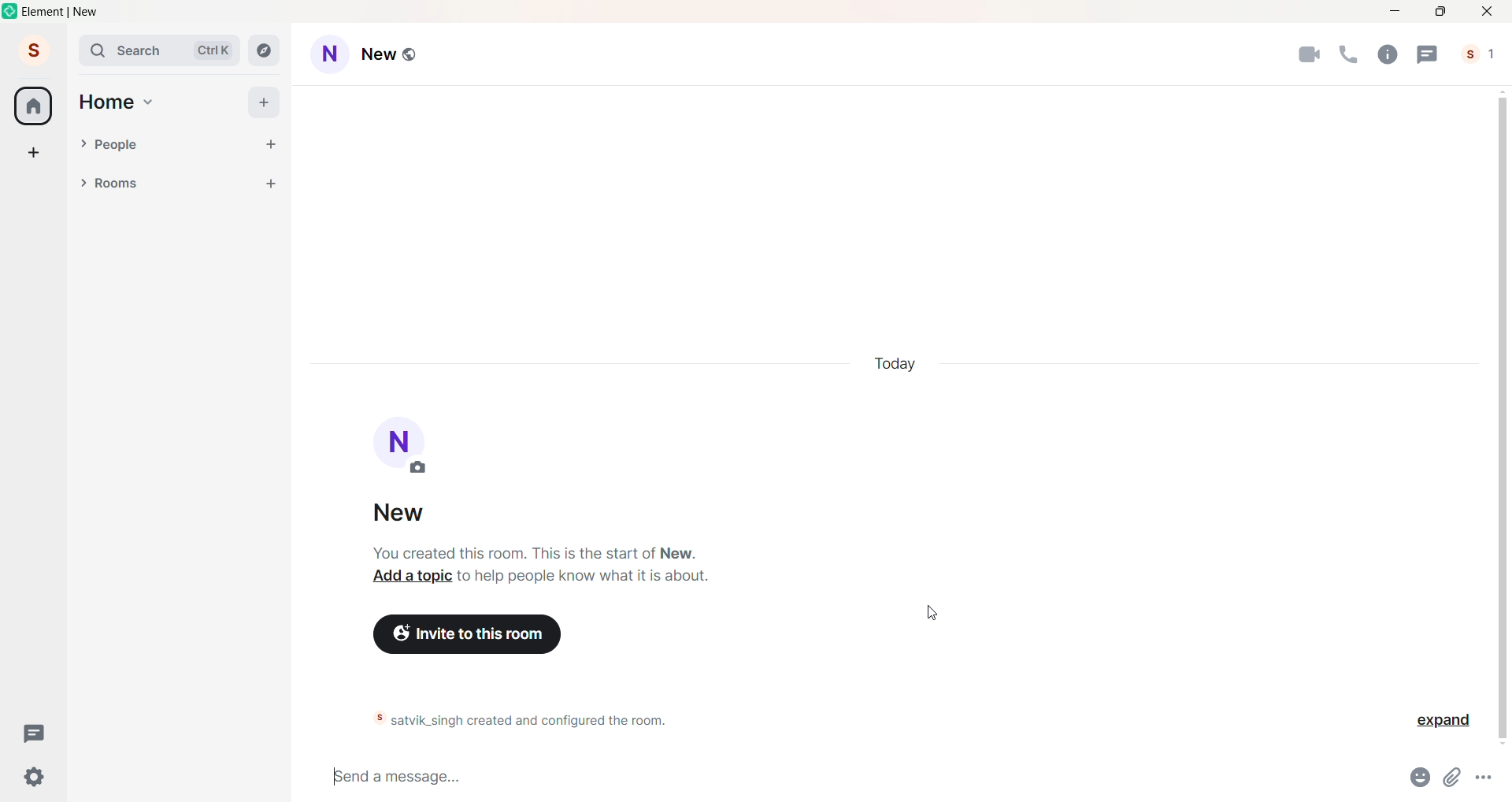 This screenshot has width=1512, height=802. What do you see at coordinates (37, 734) in the screenshot?
I see `Threads` at bounding box center [37, 734].